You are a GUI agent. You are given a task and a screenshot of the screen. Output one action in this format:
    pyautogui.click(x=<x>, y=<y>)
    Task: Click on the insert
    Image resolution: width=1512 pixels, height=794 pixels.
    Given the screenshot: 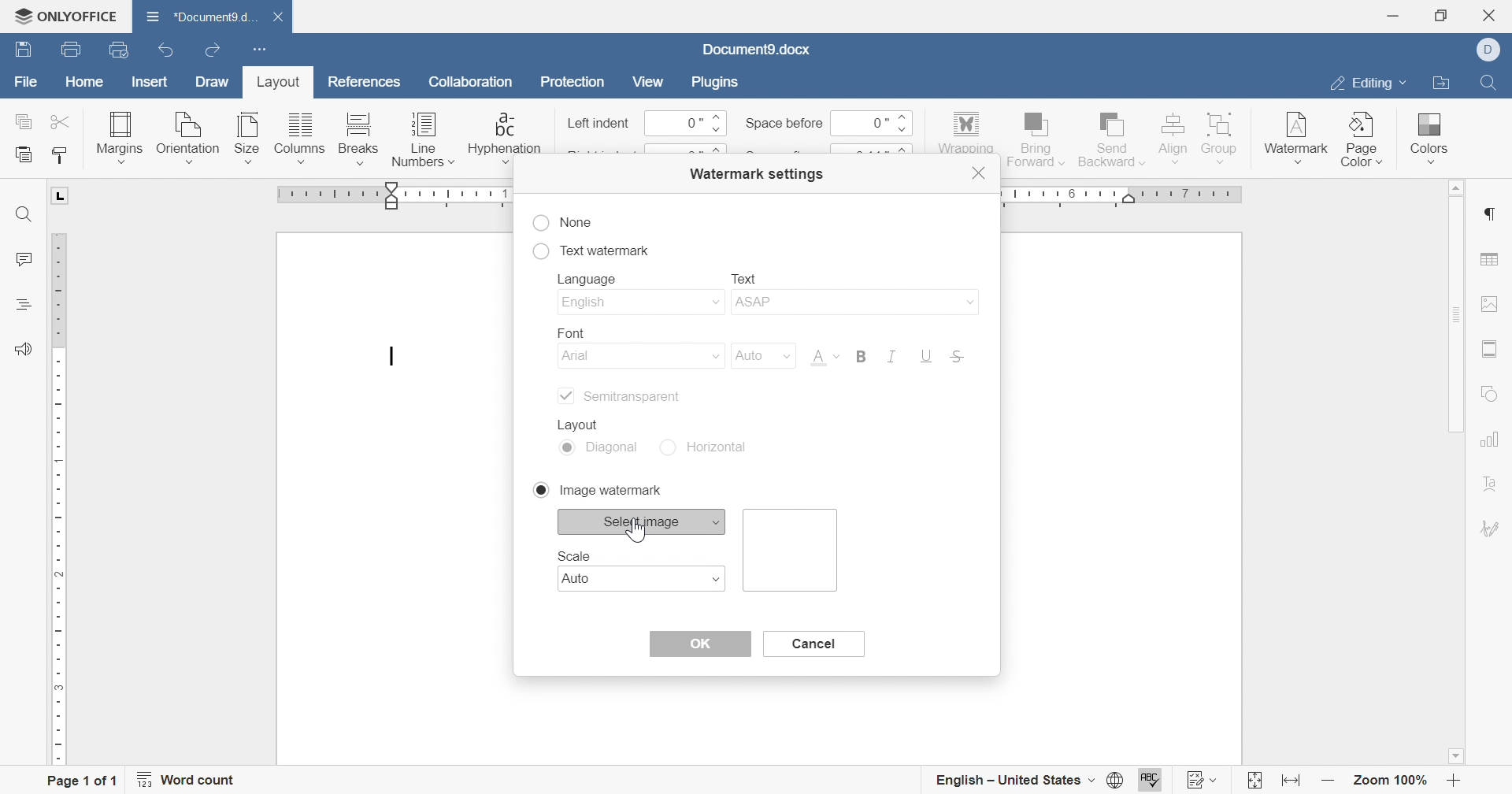 What is the action you would take?
    pyautogui.click(x=146, y=83)
    